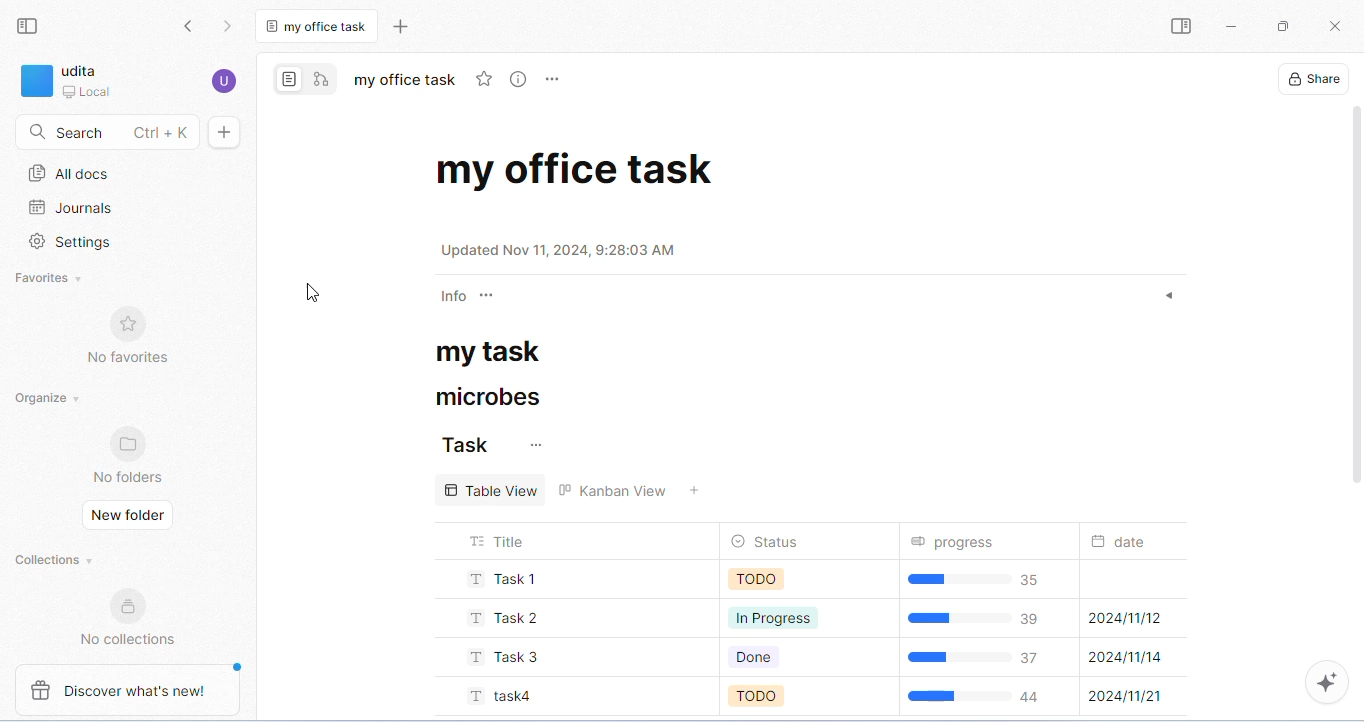  I want to click on collections, so click(51, 561).